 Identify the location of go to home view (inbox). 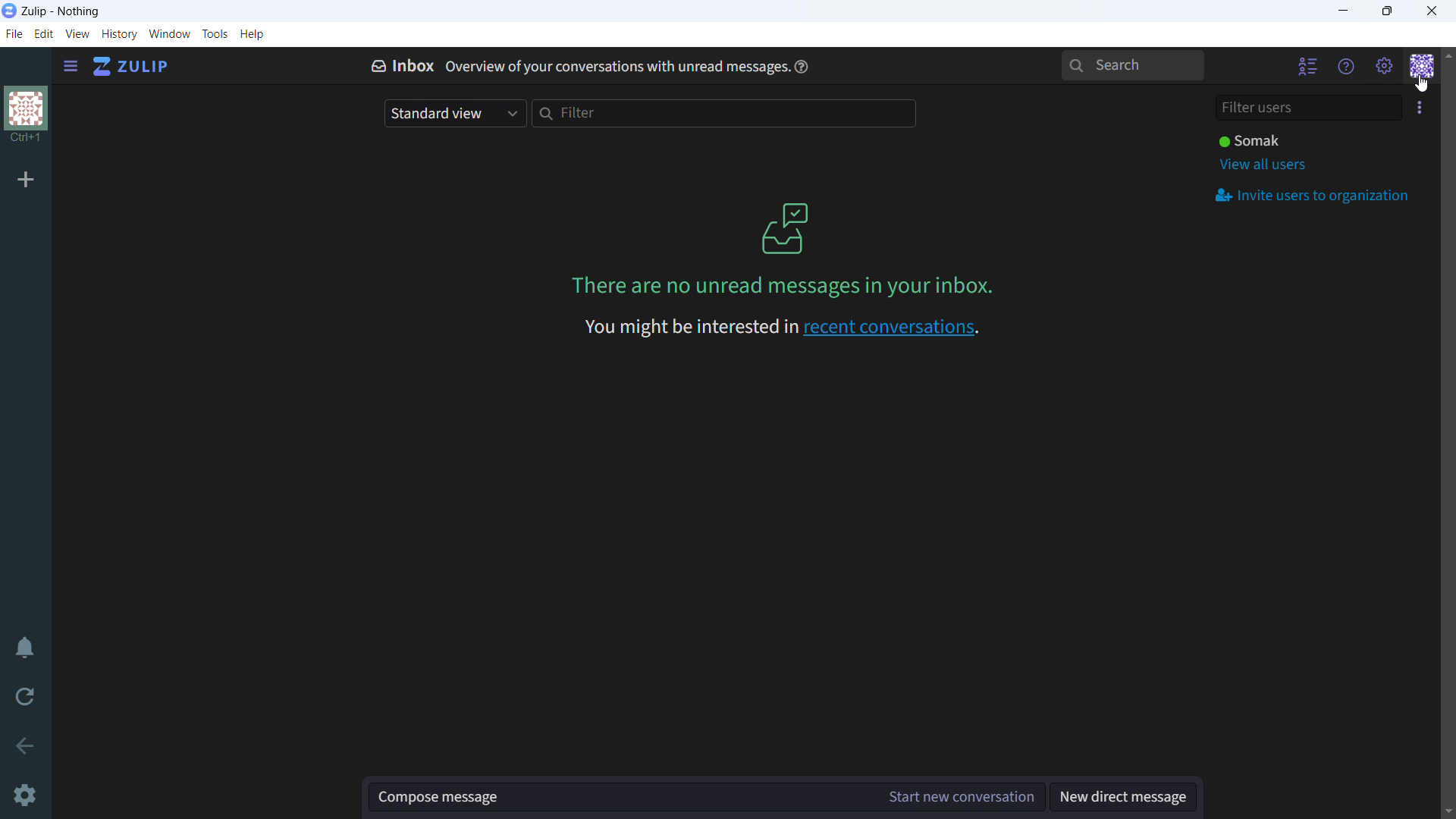
(132, 67).